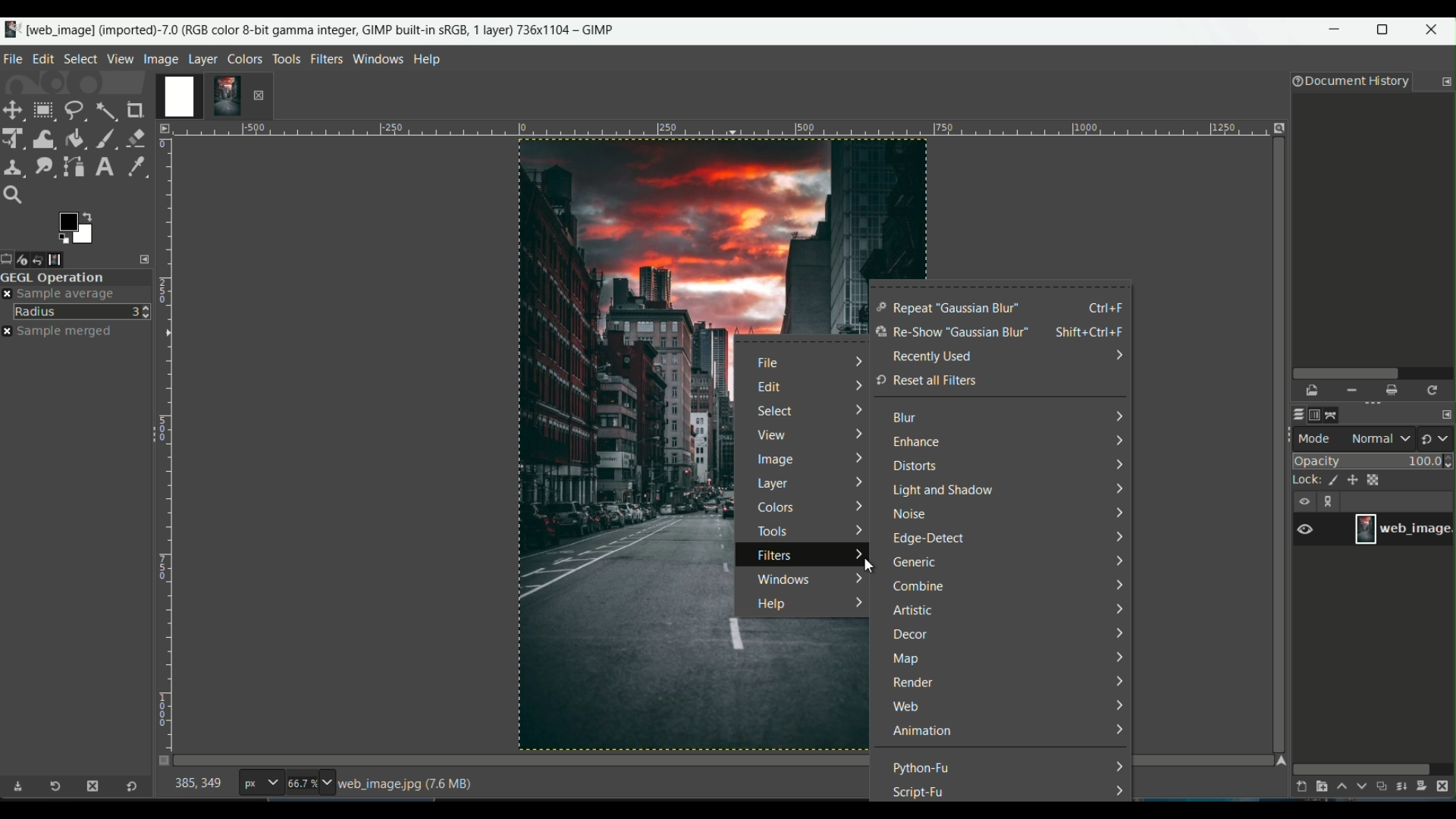  What do you see at coordinates (74, 108) in the screenshot?
I see `free select tool` at bounding box center [74, 108].